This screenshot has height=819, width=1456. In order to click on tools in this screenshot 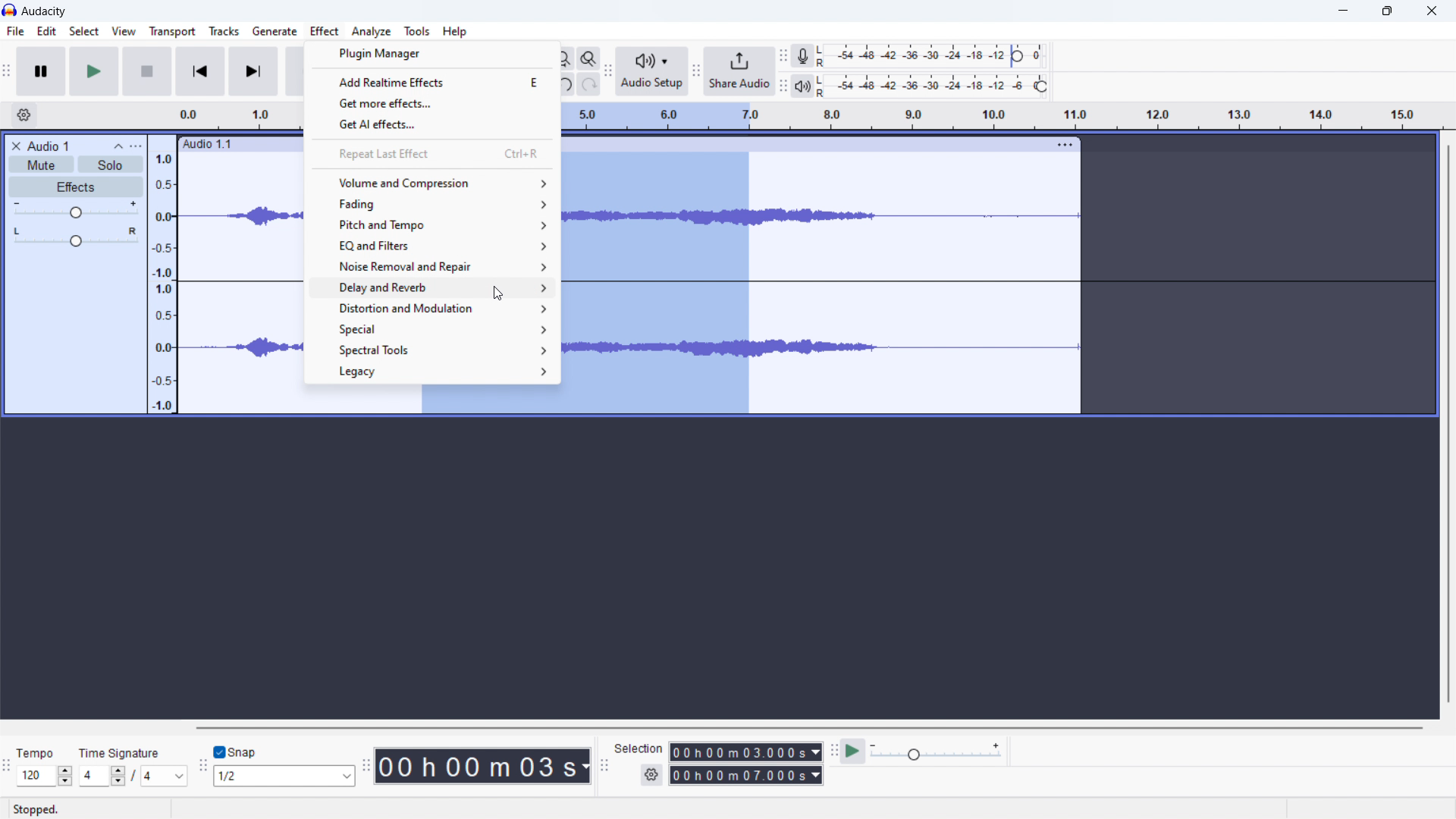, I will do `click(418, 31)`.